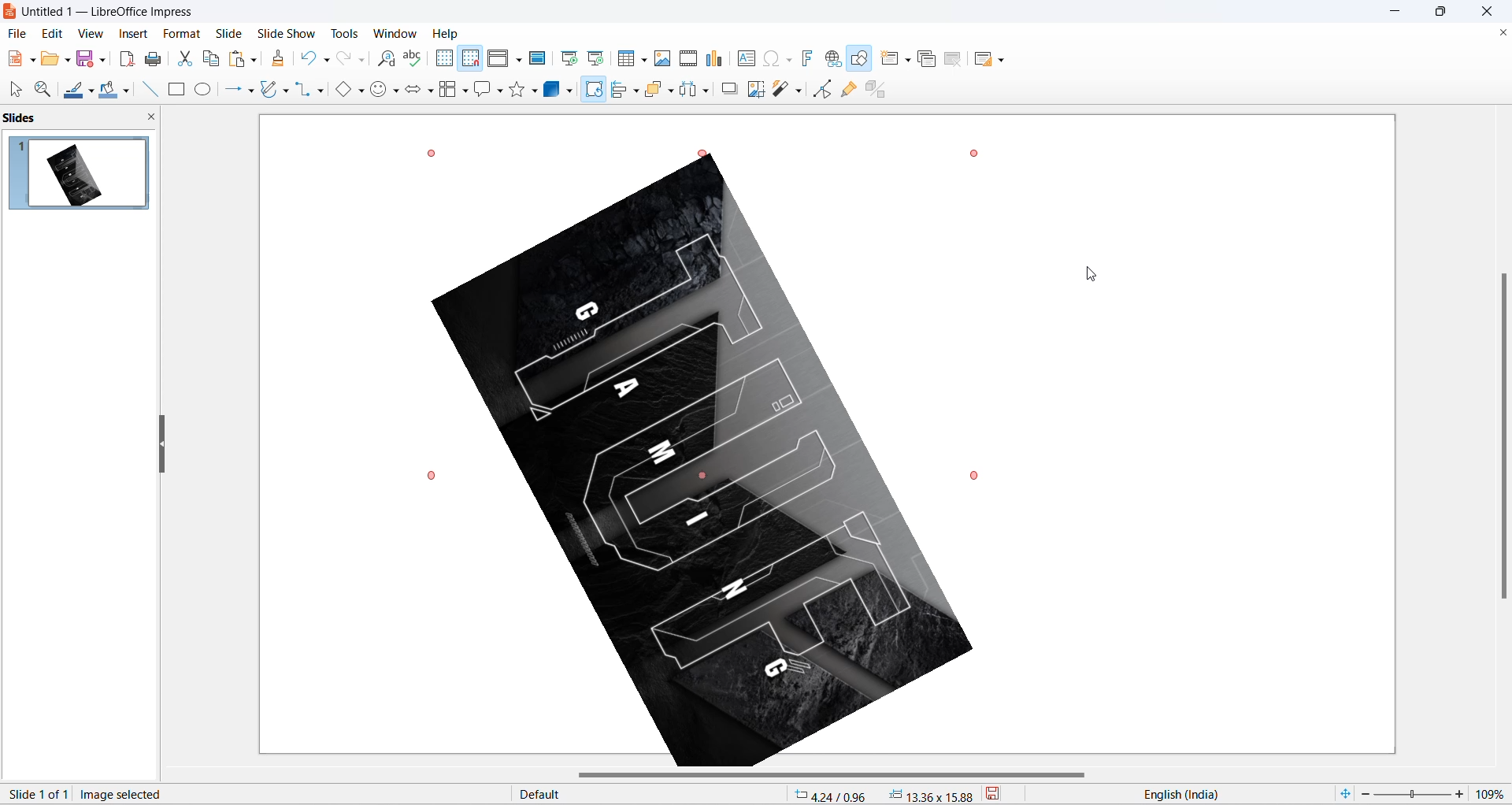  What do you see at coordinates (519, 61) in the screenshot?
I see `display views option` at bounding box center [519, 61].